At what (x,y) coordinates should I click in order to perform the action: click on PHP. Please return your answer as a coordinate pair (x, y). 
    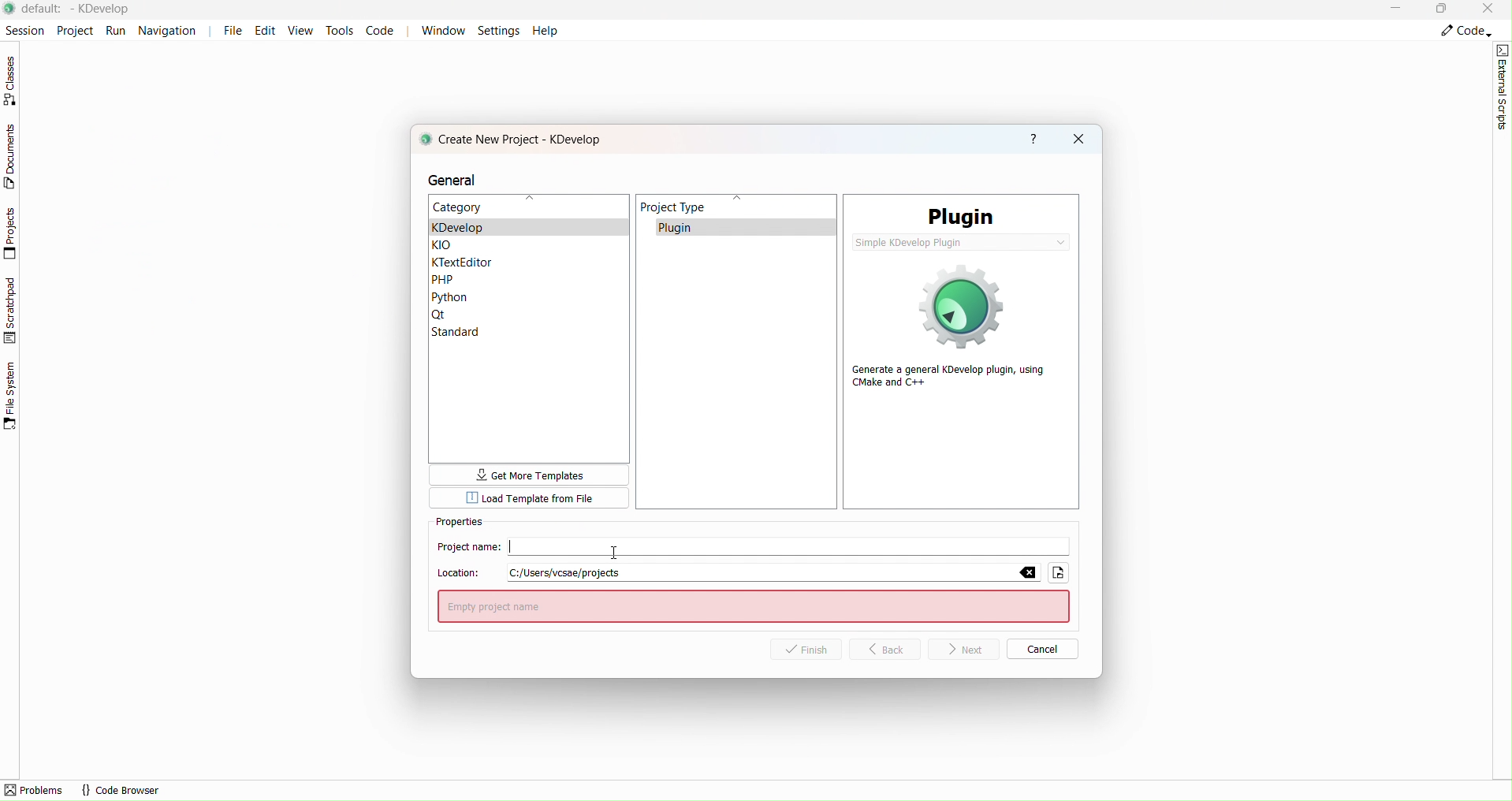
    Looking at the image, I should click on (454, 278).